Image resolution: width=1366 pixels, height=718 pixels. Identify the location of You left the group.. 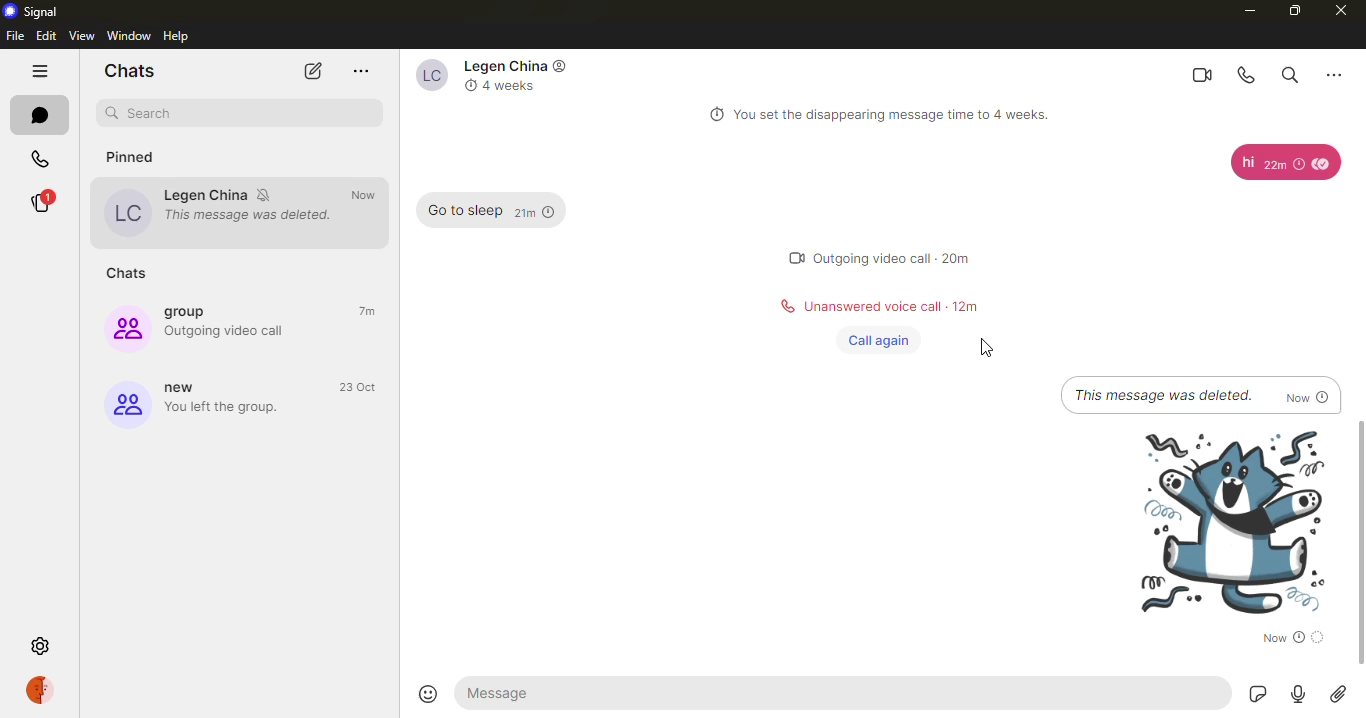
(234, 410).